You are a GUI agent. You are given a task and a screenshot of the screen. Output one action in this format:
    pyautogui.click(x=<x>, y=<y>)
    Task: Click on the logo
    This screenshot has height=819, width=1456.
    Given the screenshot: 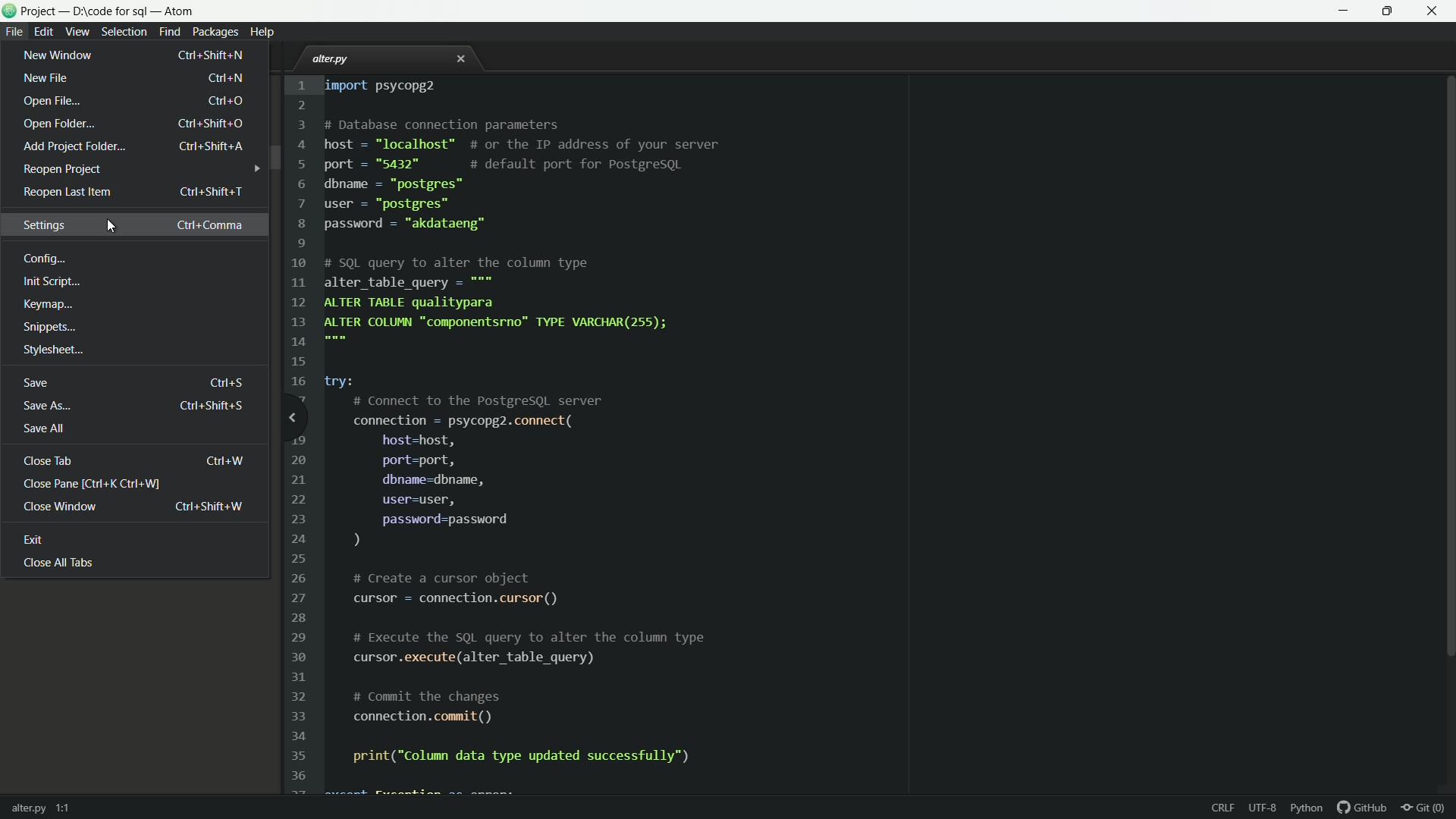 What is the action you would take?
    pyautogui.click(x=9, y=13)
    